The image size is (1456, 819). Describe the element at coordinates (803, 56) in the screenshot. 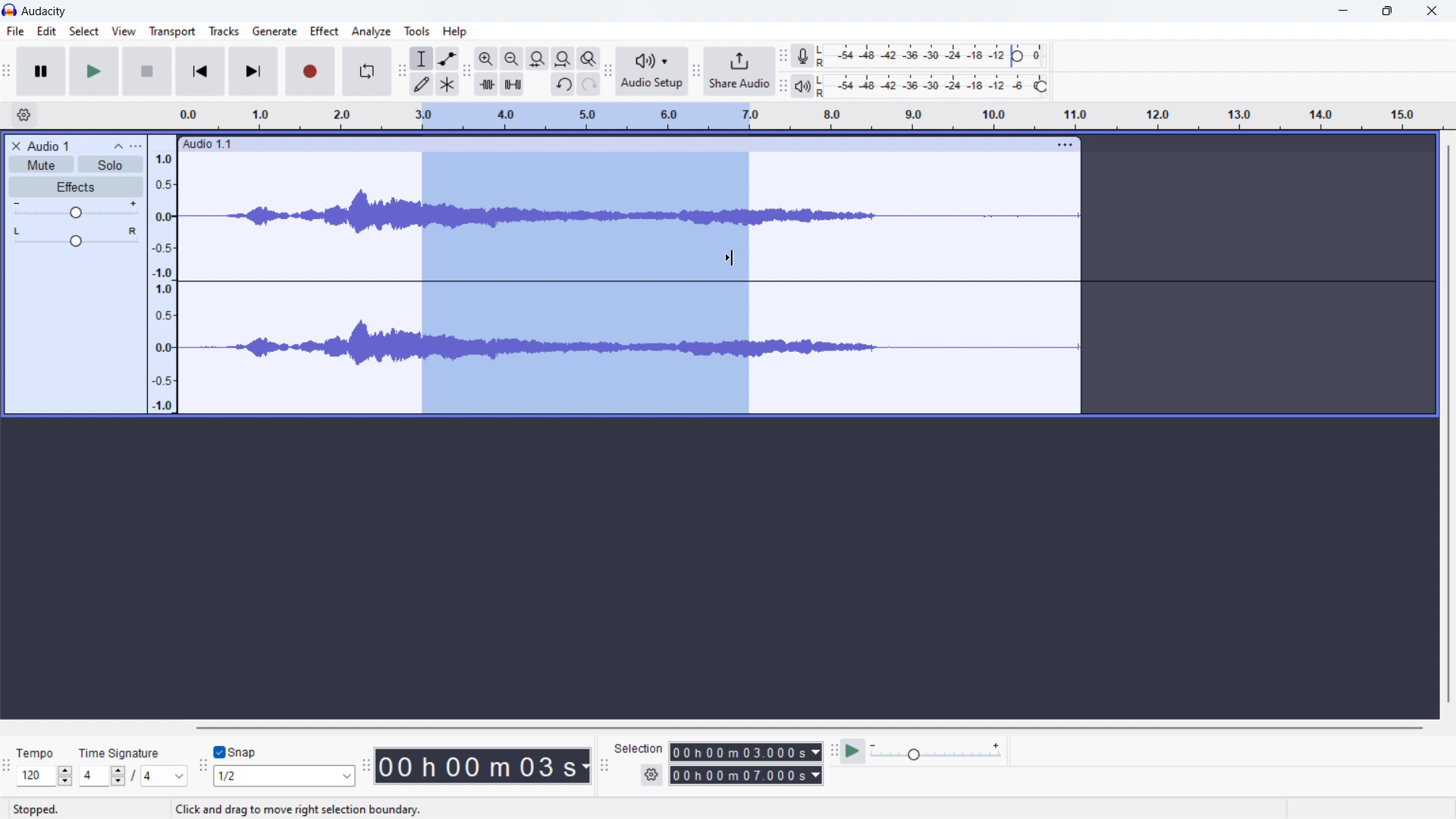

I see `recording meter` at that location.